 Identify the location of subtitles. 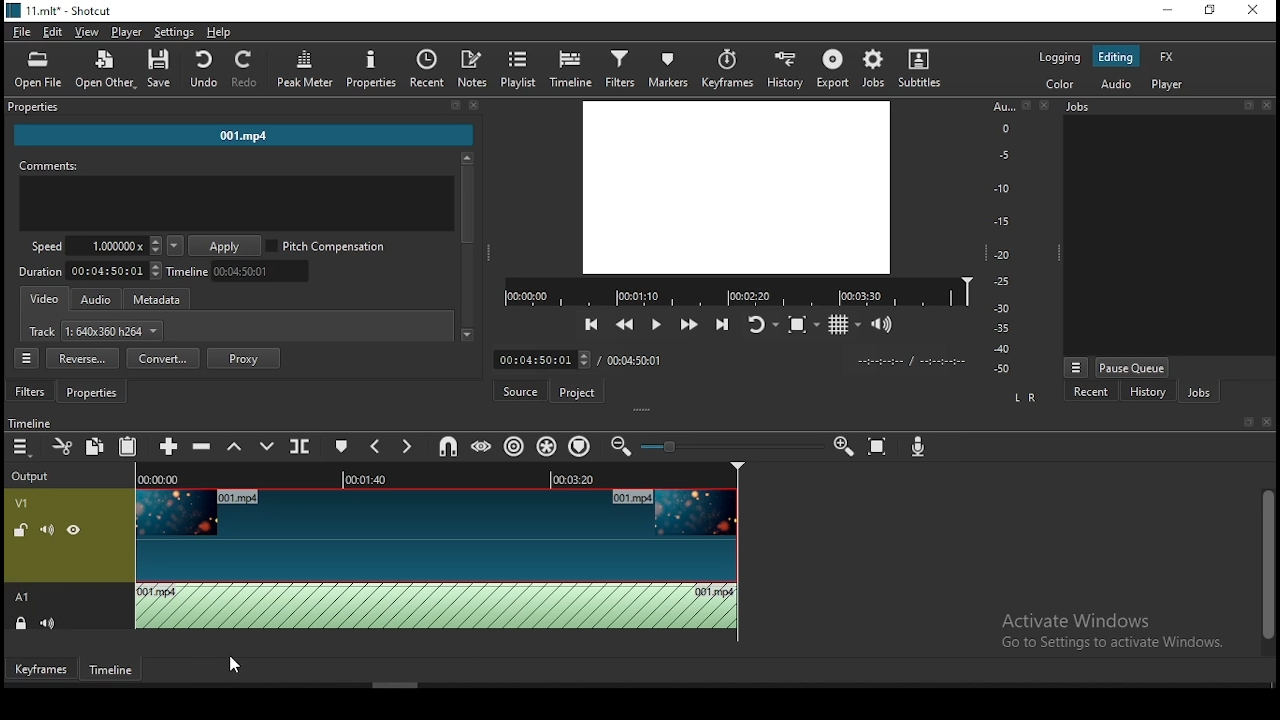
(923, 67).